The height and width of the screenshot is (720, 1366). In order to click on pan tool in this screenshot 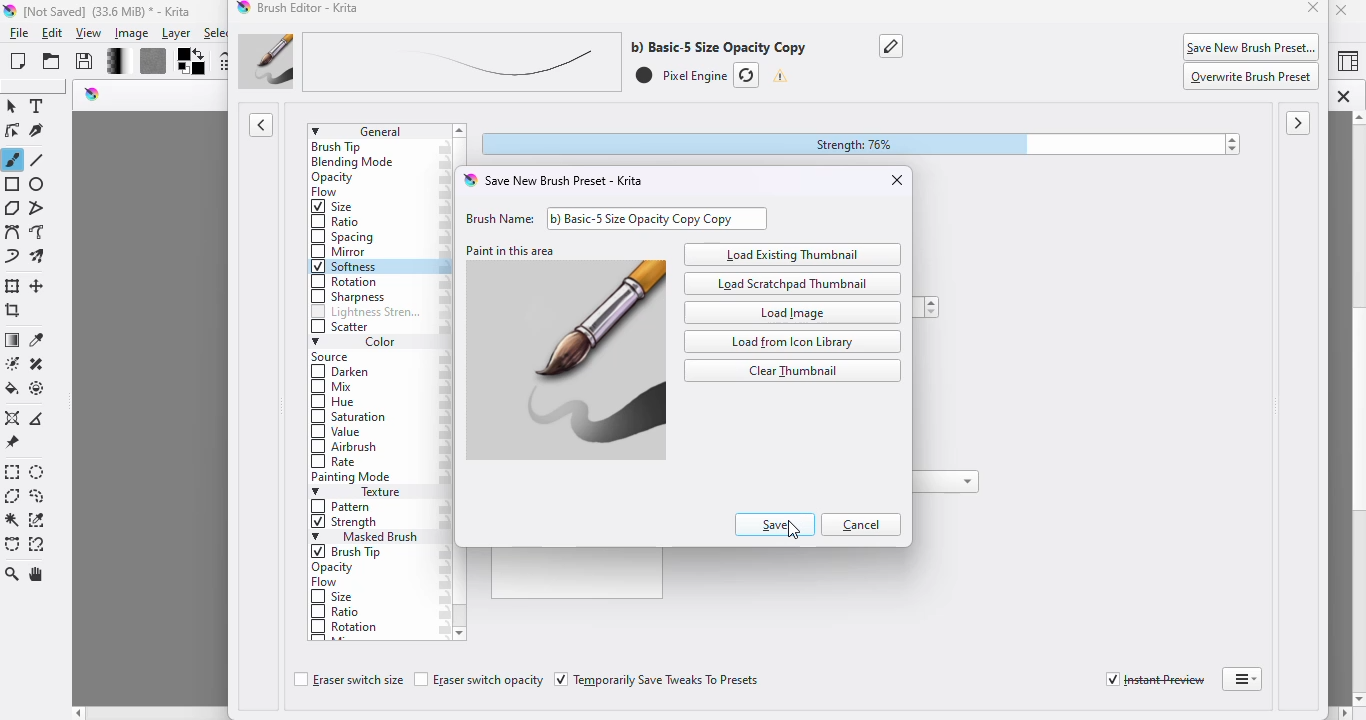, I will do `click(39, 575)`.